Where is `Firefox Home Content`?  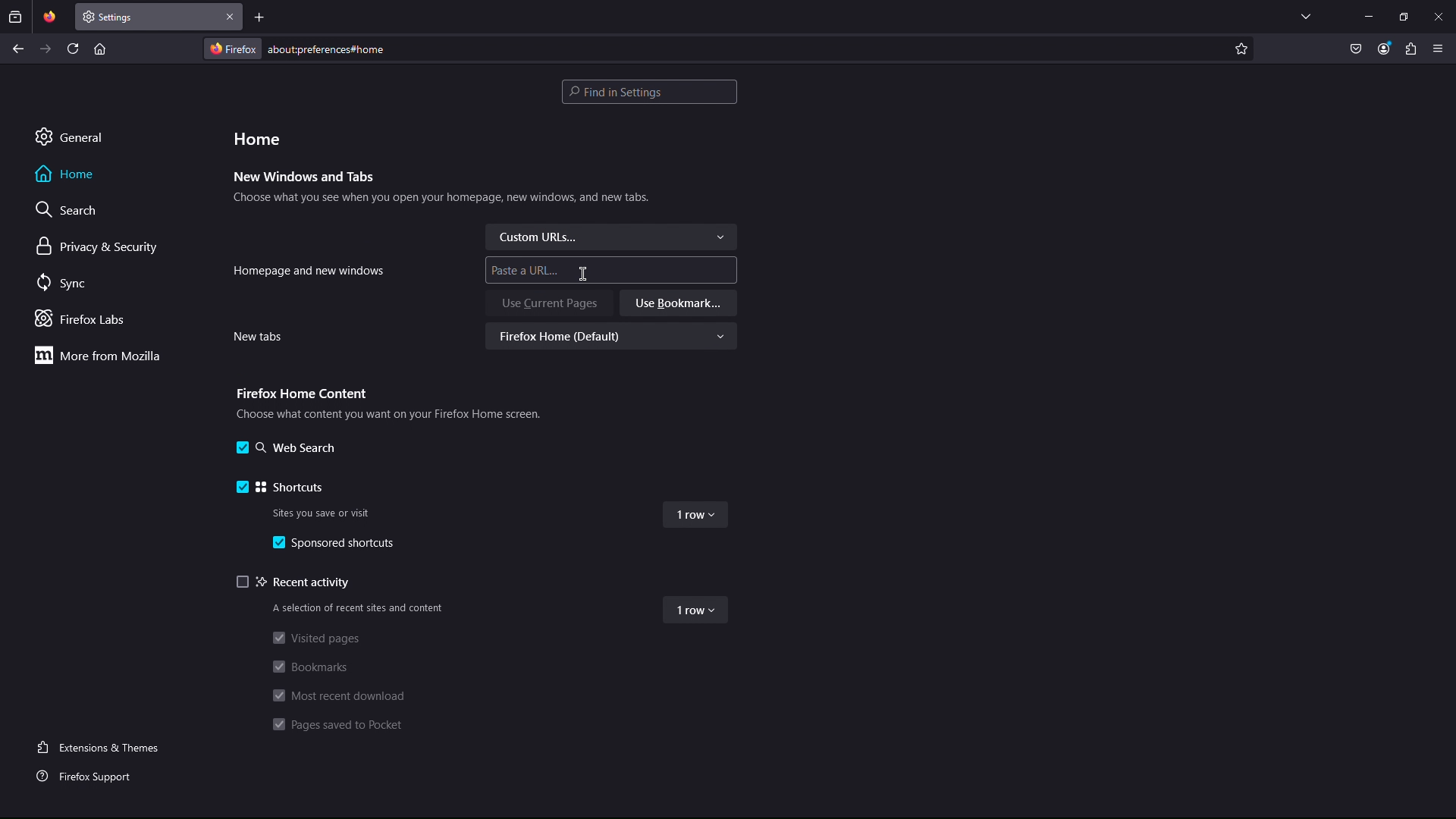
Firefox Home Content is located at coordinates (300, 392).